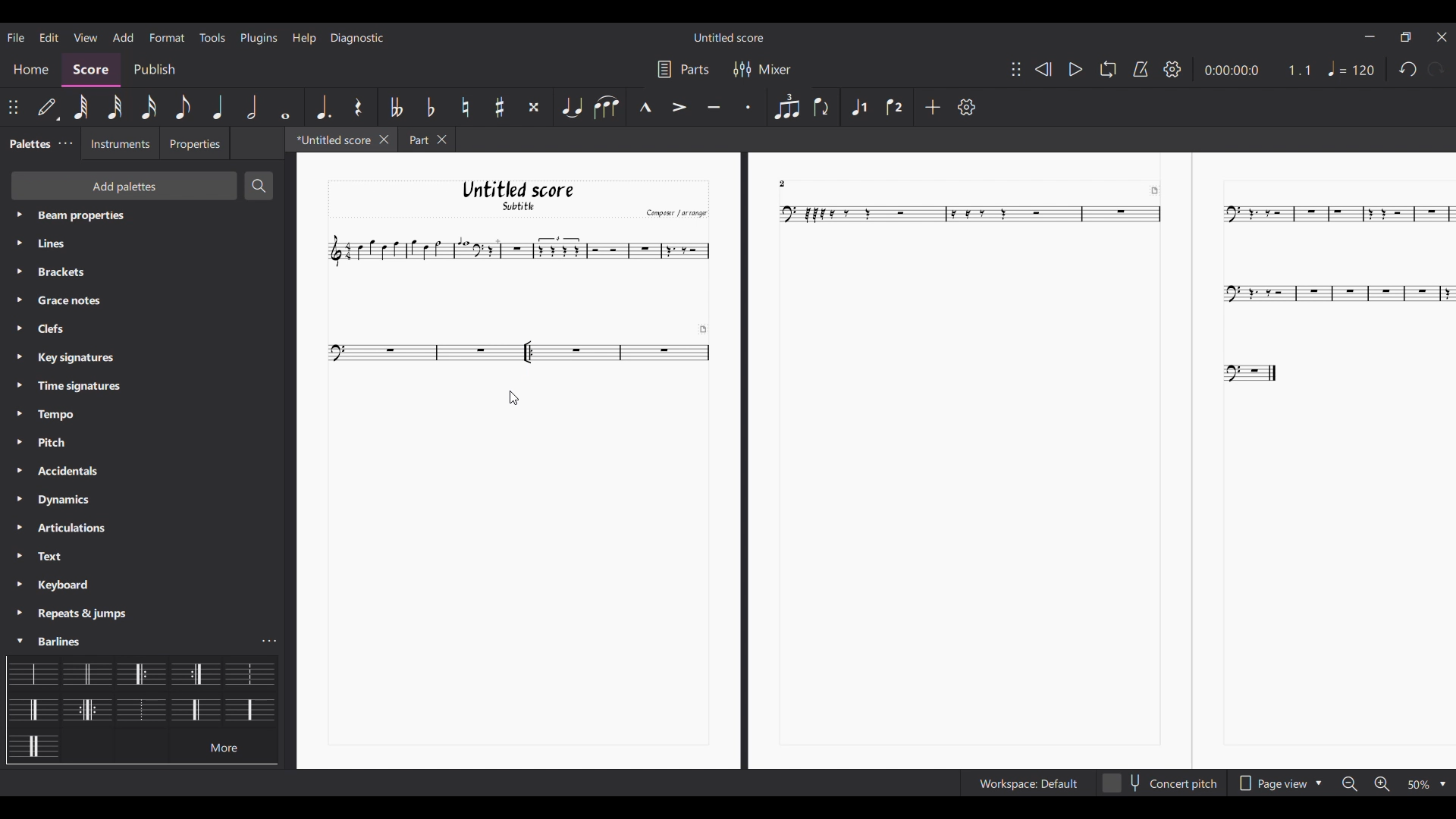 This screenshot has width=1456, height=819. What do you see at coordinates (535, 107) in the screenshot?
I see `Toggle double sharp` at bounding box center [535, 107].